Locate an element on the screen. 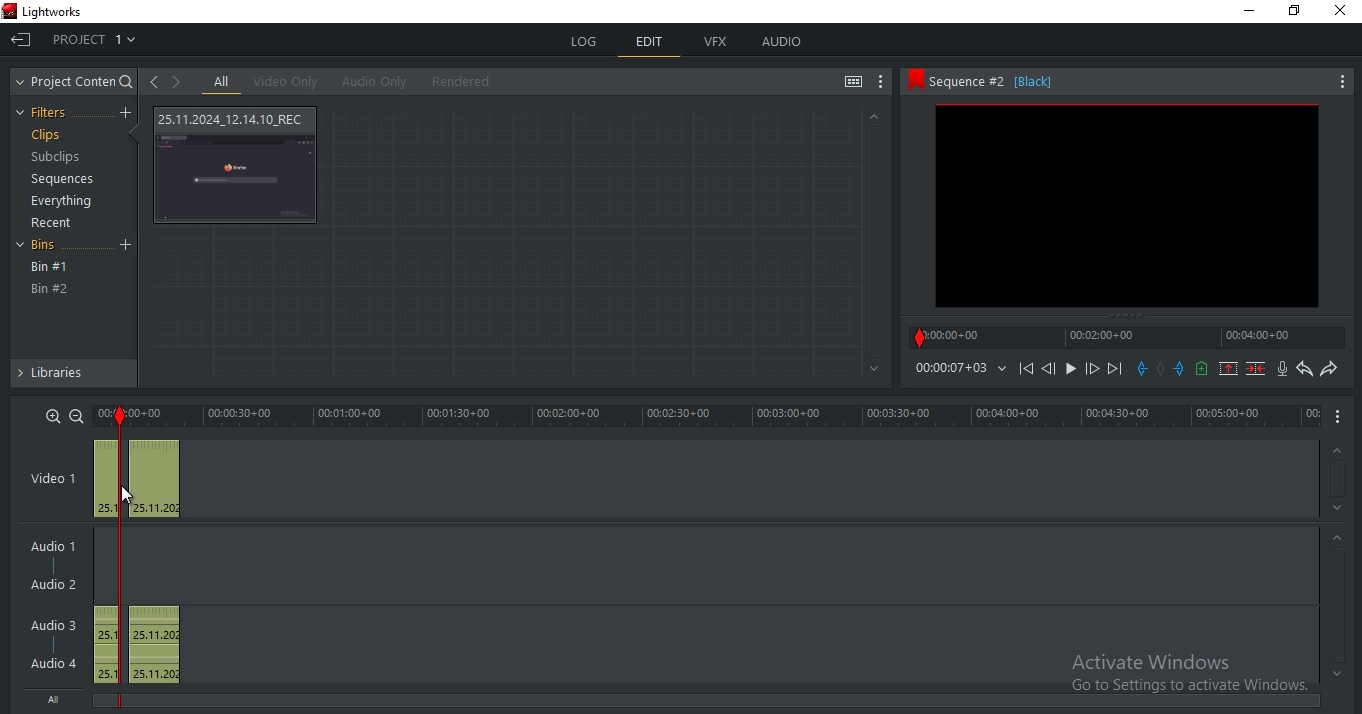  recent is located at coordinates (54, 223).